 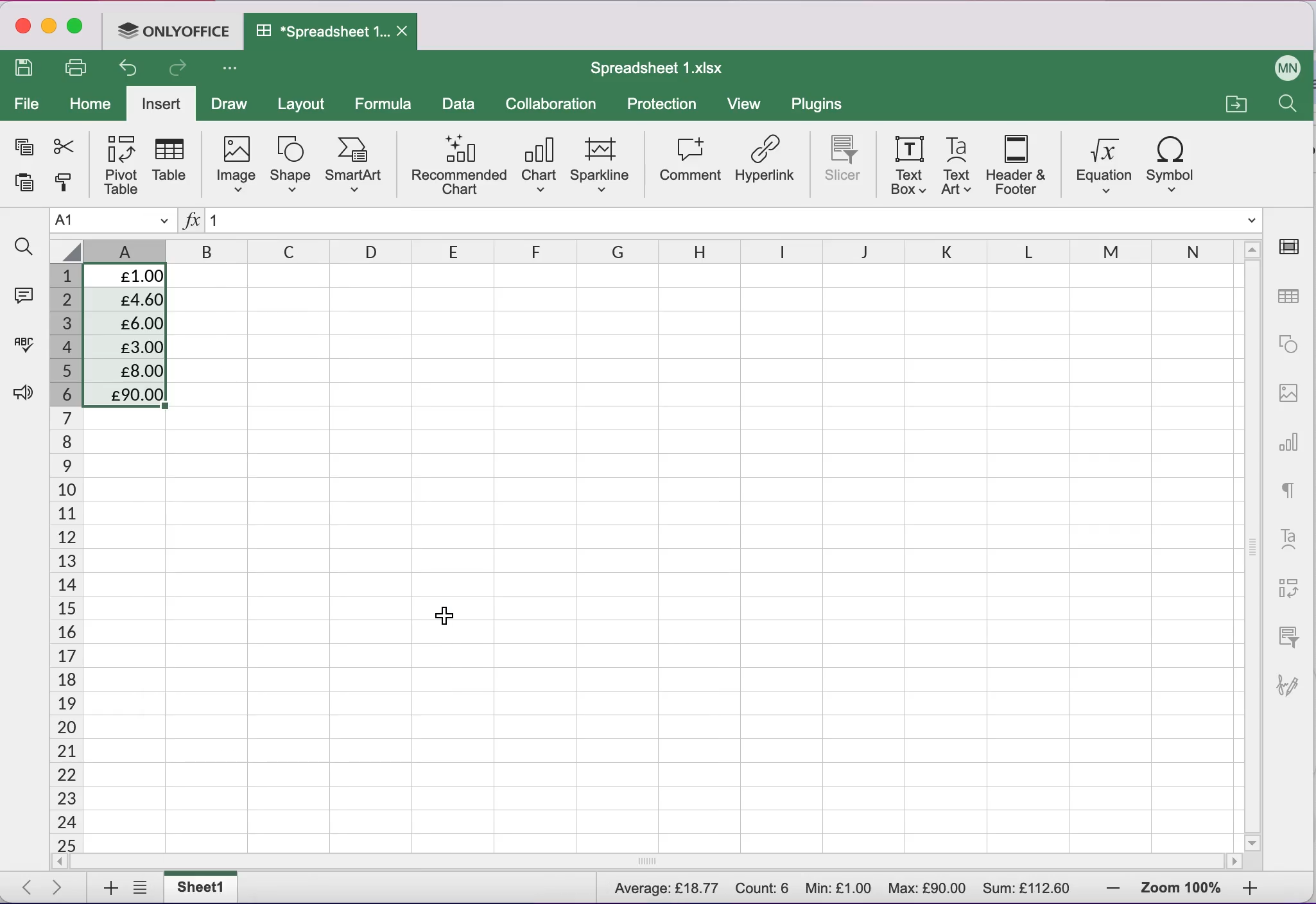 I want to click on smart art, so click(x=356, y=164).